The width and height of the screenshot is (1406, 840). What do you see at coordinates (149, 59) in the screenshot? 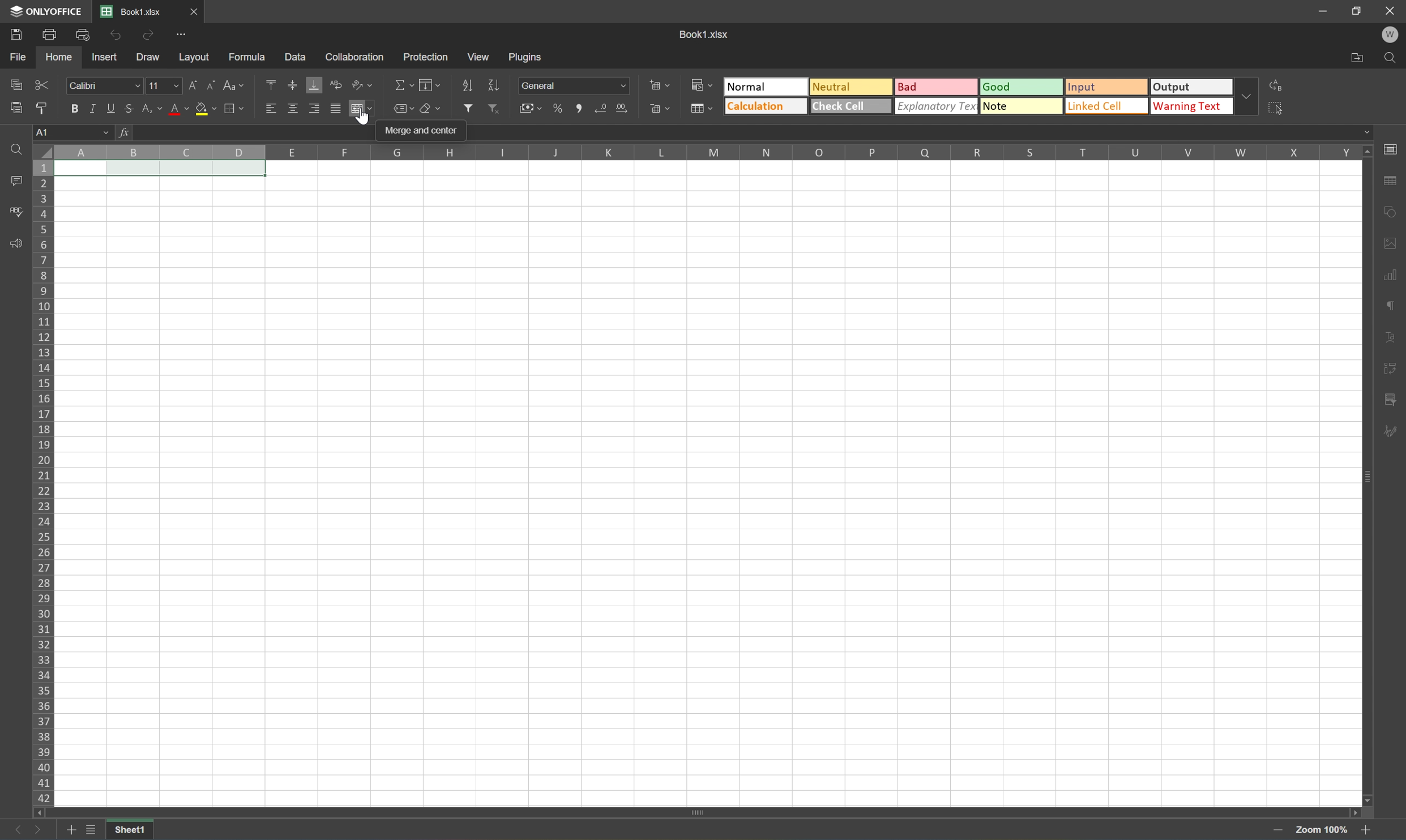
I see `Draw` at bounding box center [149, 59].